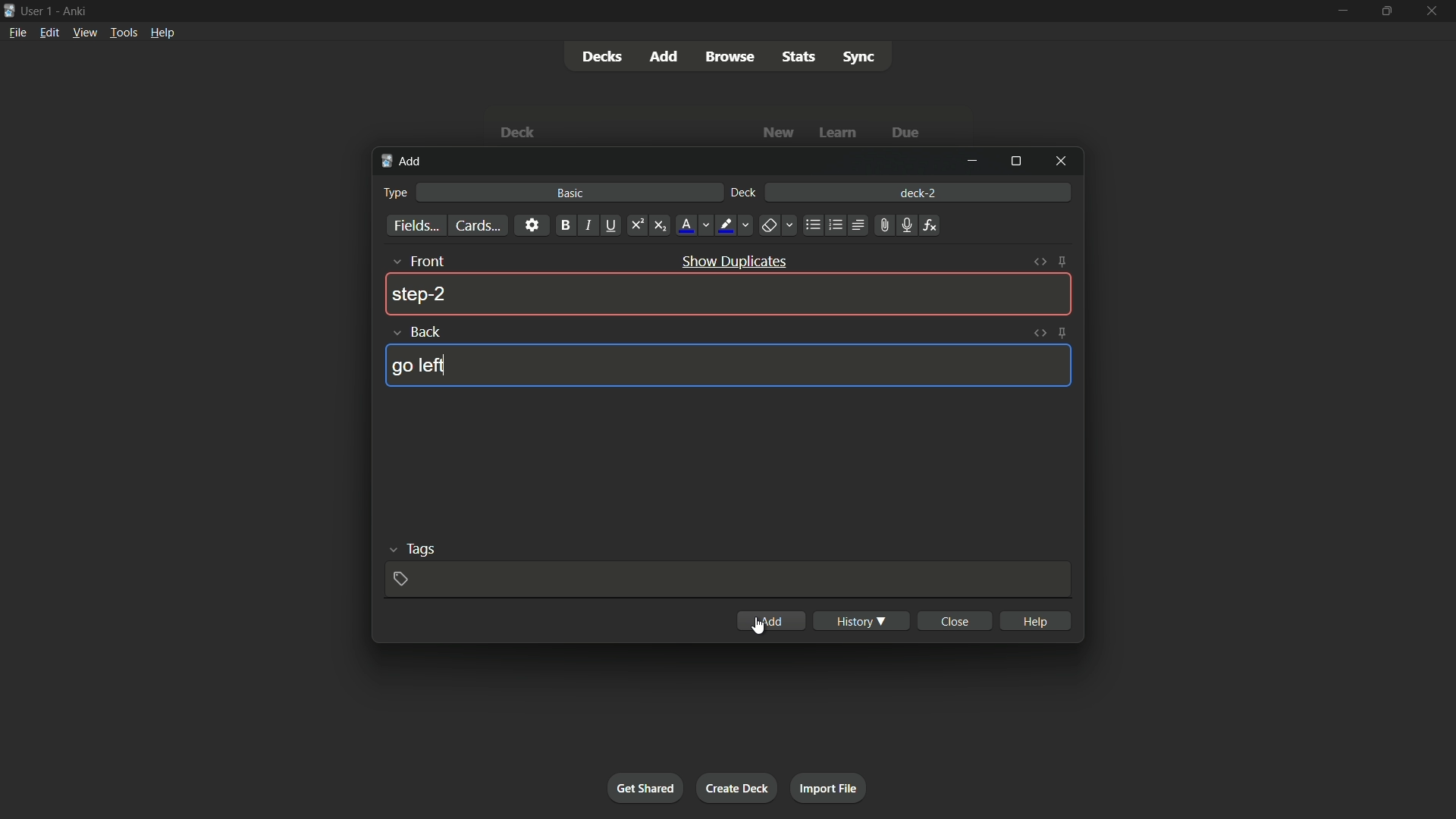 This screenshot has height=819, width=1456. I want to click on subscript, so click(660, 226).